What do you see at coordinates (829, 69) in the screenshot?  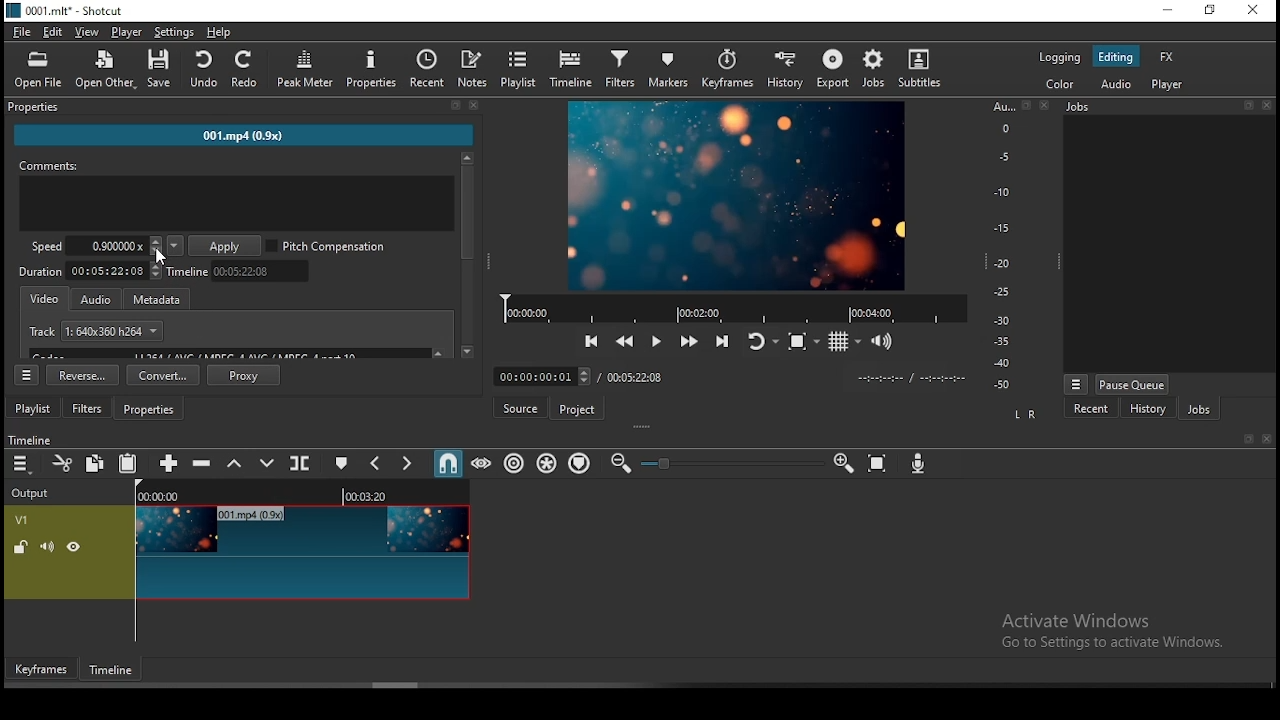 I see `export` at bounding box center [829, 69].